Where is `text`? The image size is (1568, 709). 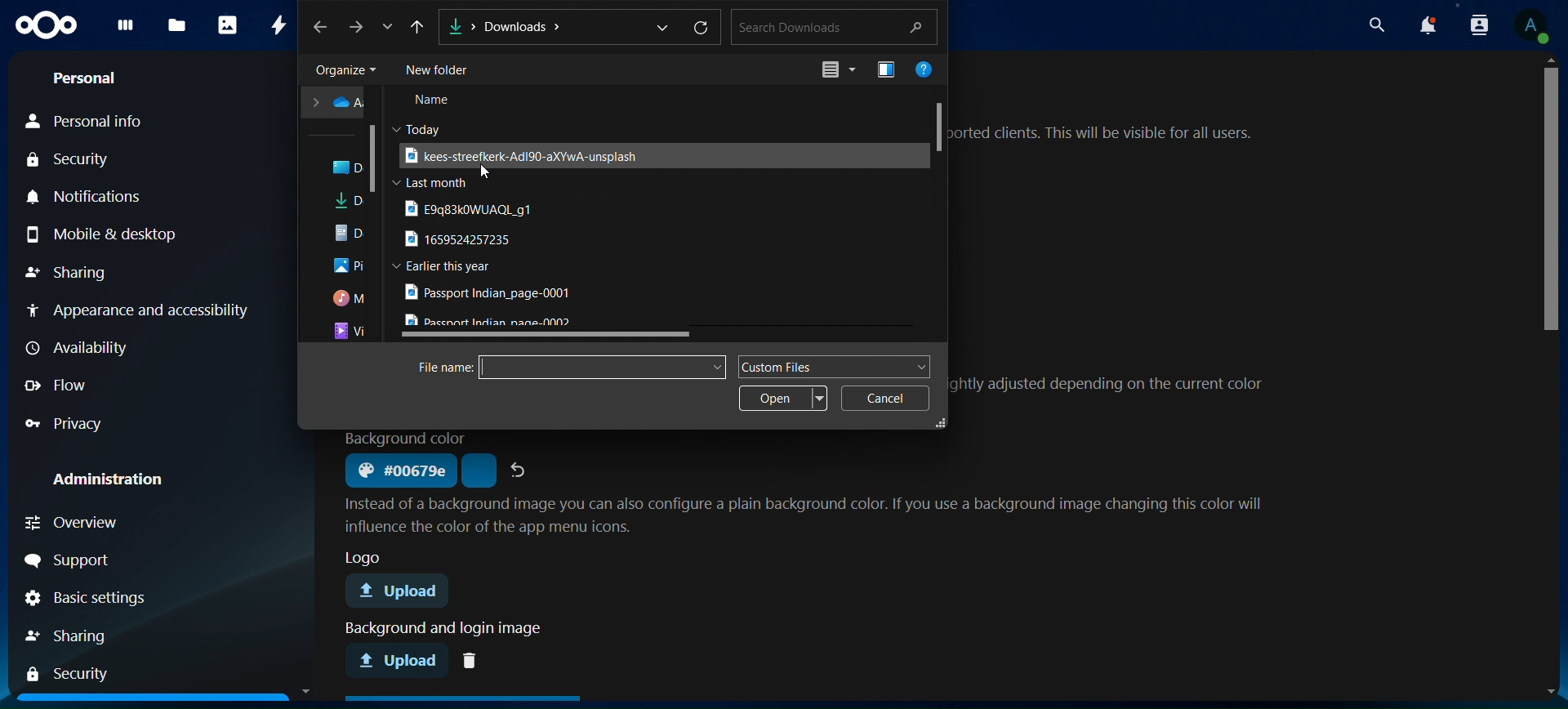 text is located at coordinates (1102, 135).